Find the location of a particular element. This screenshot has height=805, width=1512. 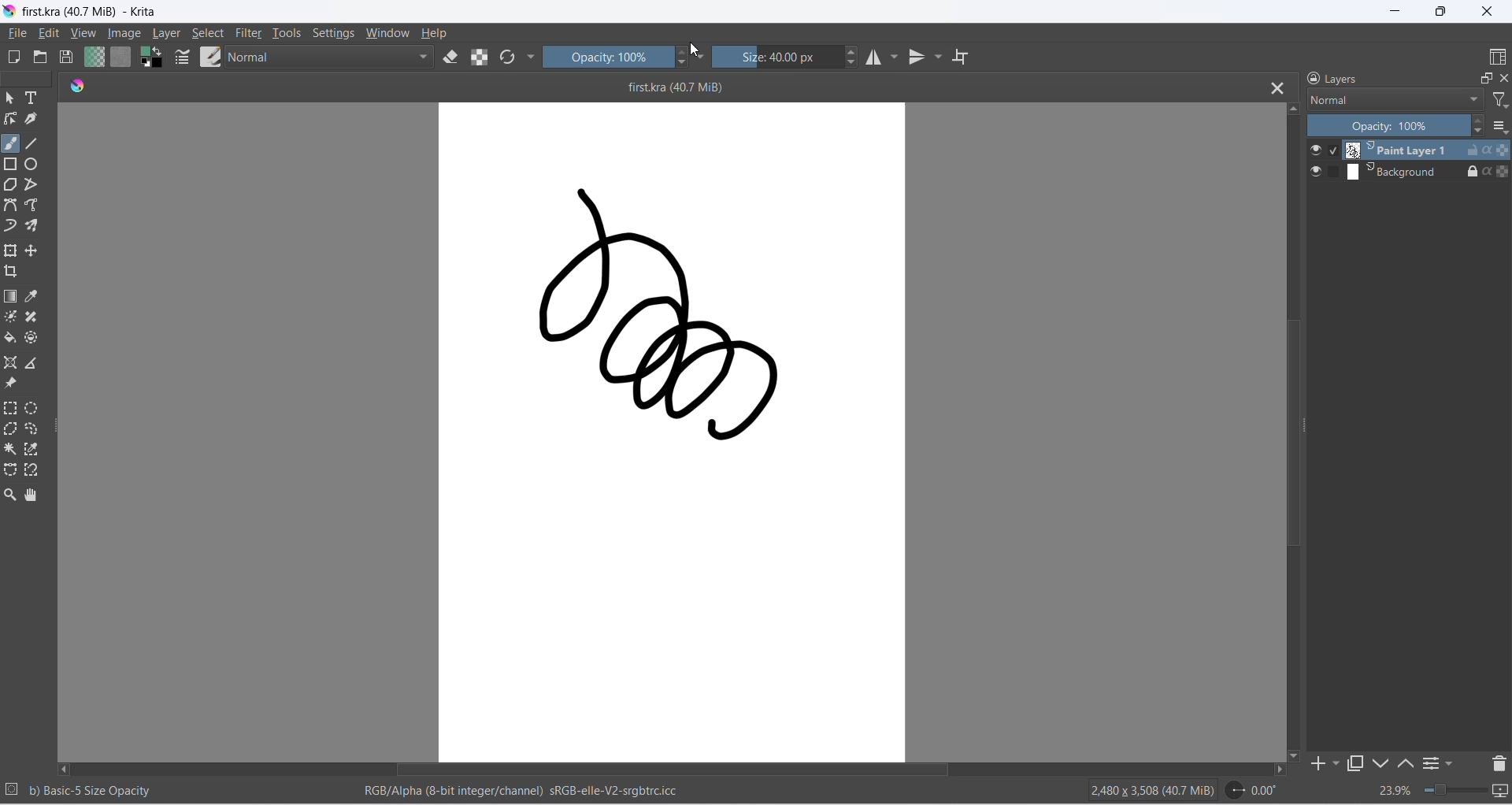

settings is located at coordinates (335, 32).